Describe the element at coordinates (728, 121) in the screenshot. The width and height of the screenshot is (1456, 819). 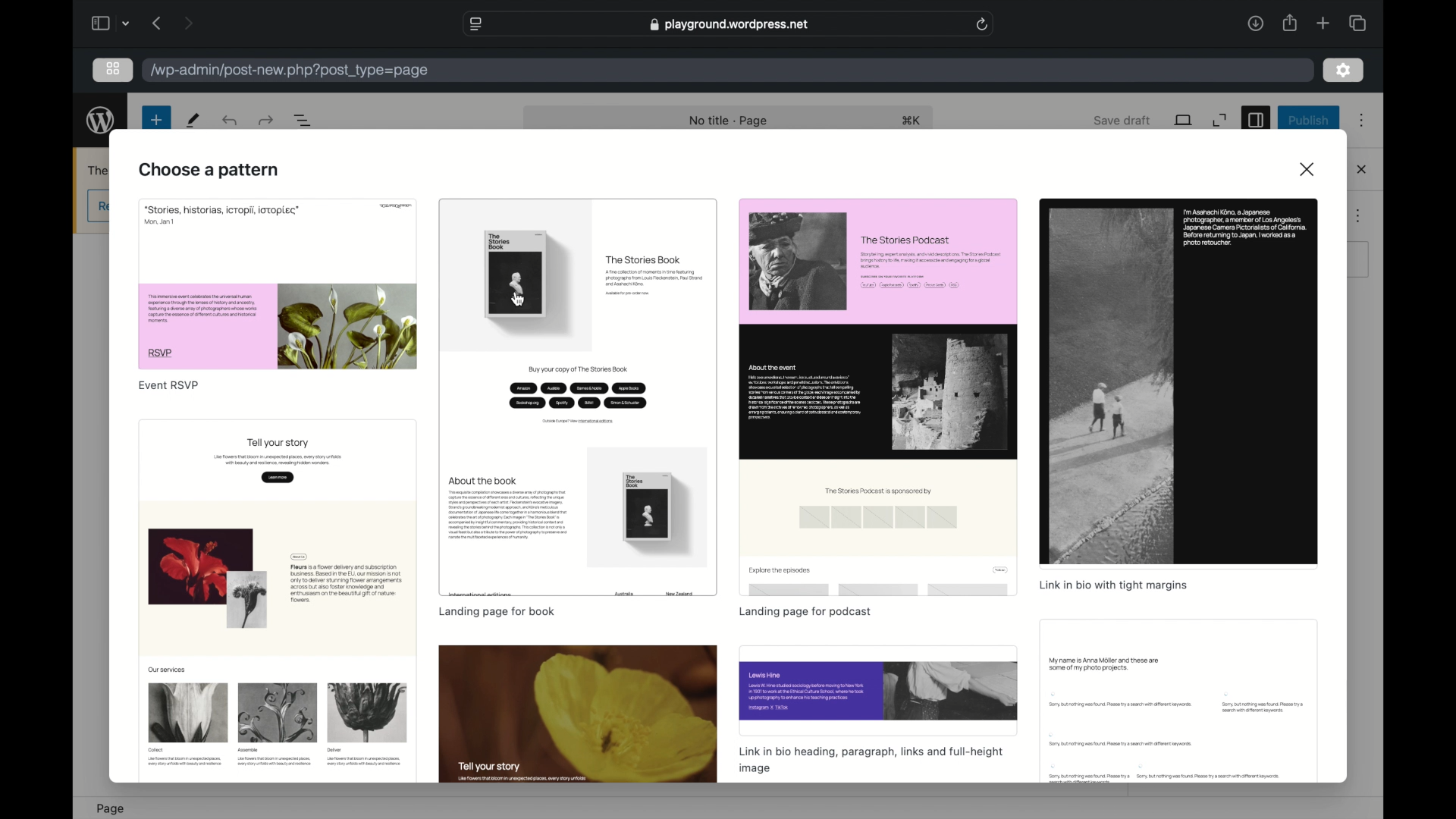
I see `no title page` at that location.